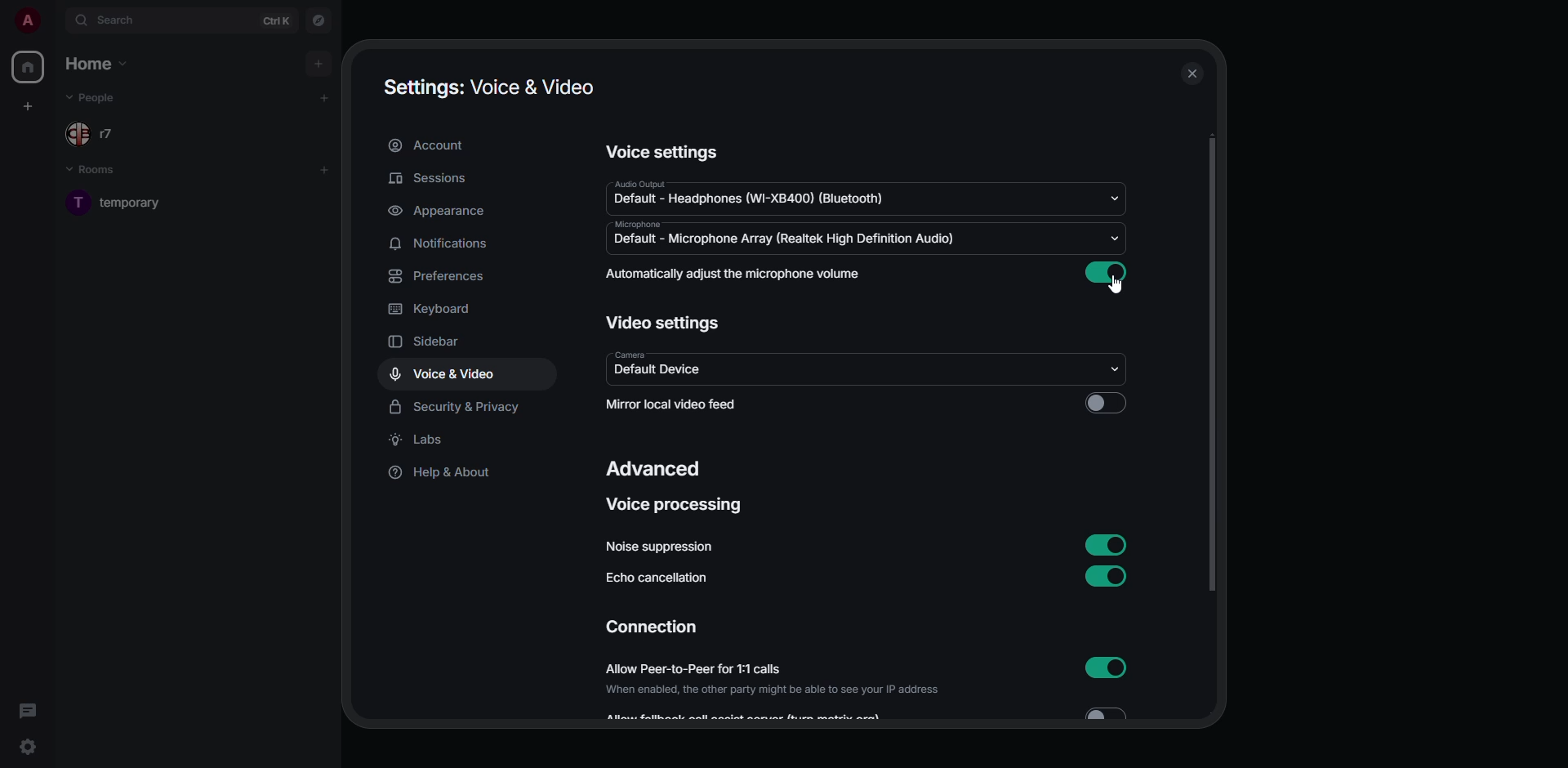 This screenshot has height=768, width=1568. Describe the element at coordinates (1108, 578) in the screenshot. I see `enabled` at that location.